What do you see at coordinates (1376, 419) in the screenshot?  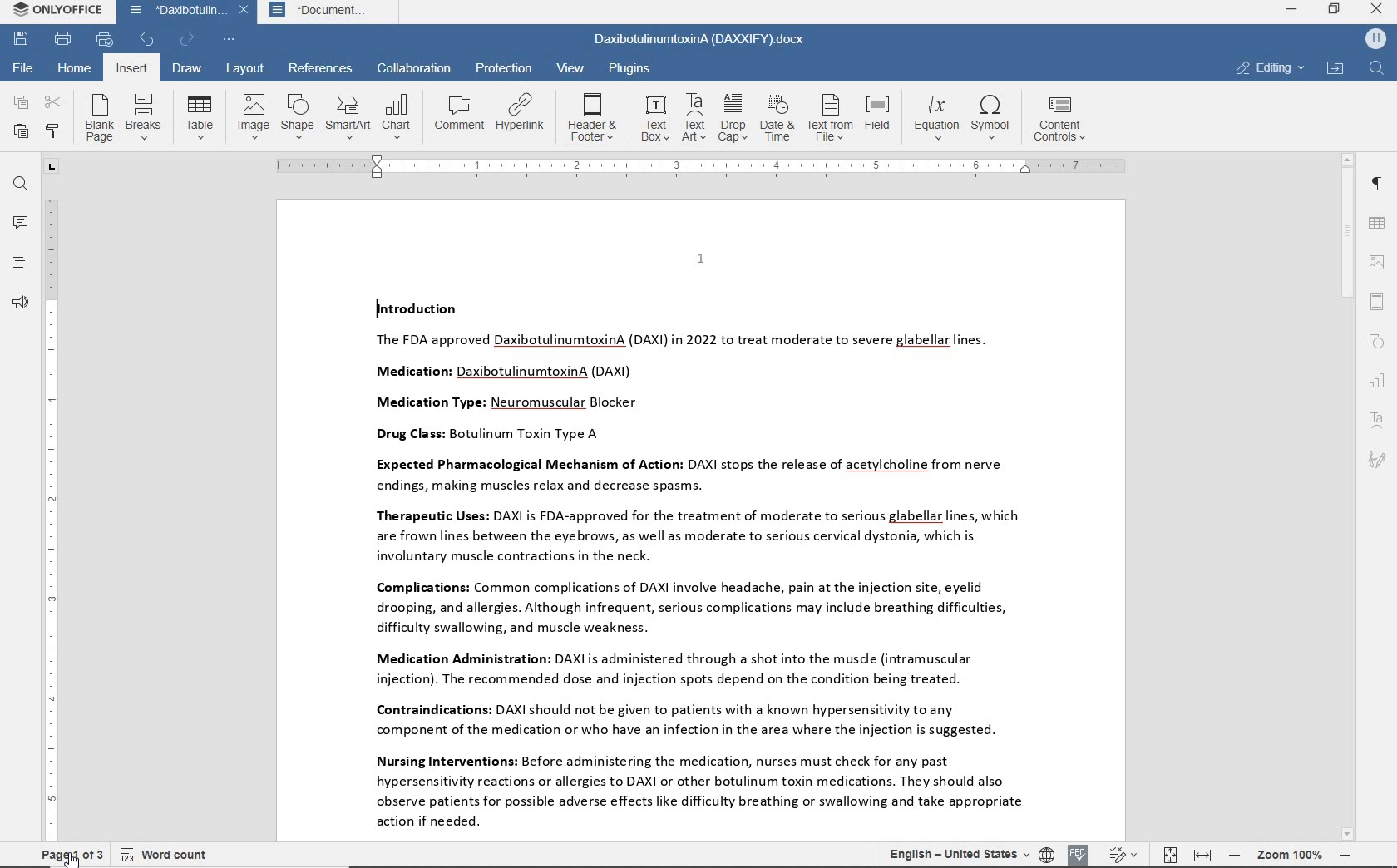 I see `textart` at bounding box center [1376, 419].